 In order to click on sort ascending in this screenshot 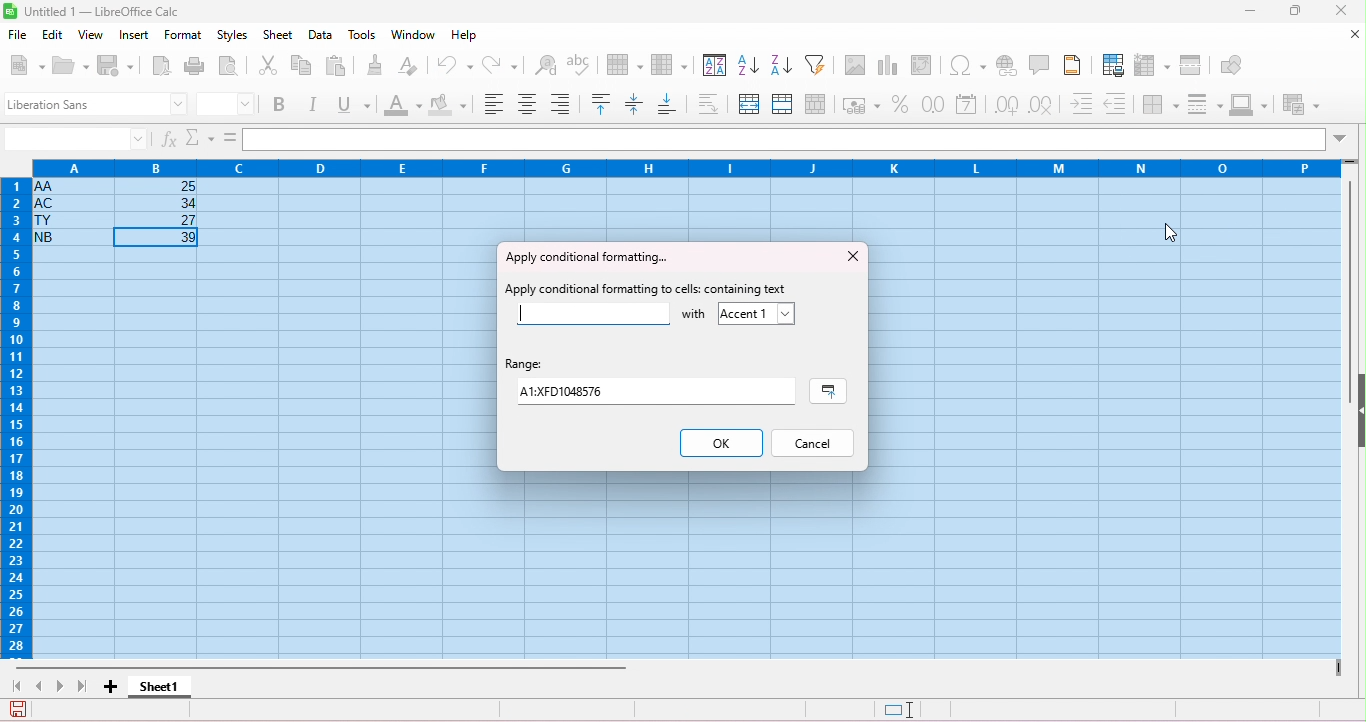, I will do `click(749, 63)`.